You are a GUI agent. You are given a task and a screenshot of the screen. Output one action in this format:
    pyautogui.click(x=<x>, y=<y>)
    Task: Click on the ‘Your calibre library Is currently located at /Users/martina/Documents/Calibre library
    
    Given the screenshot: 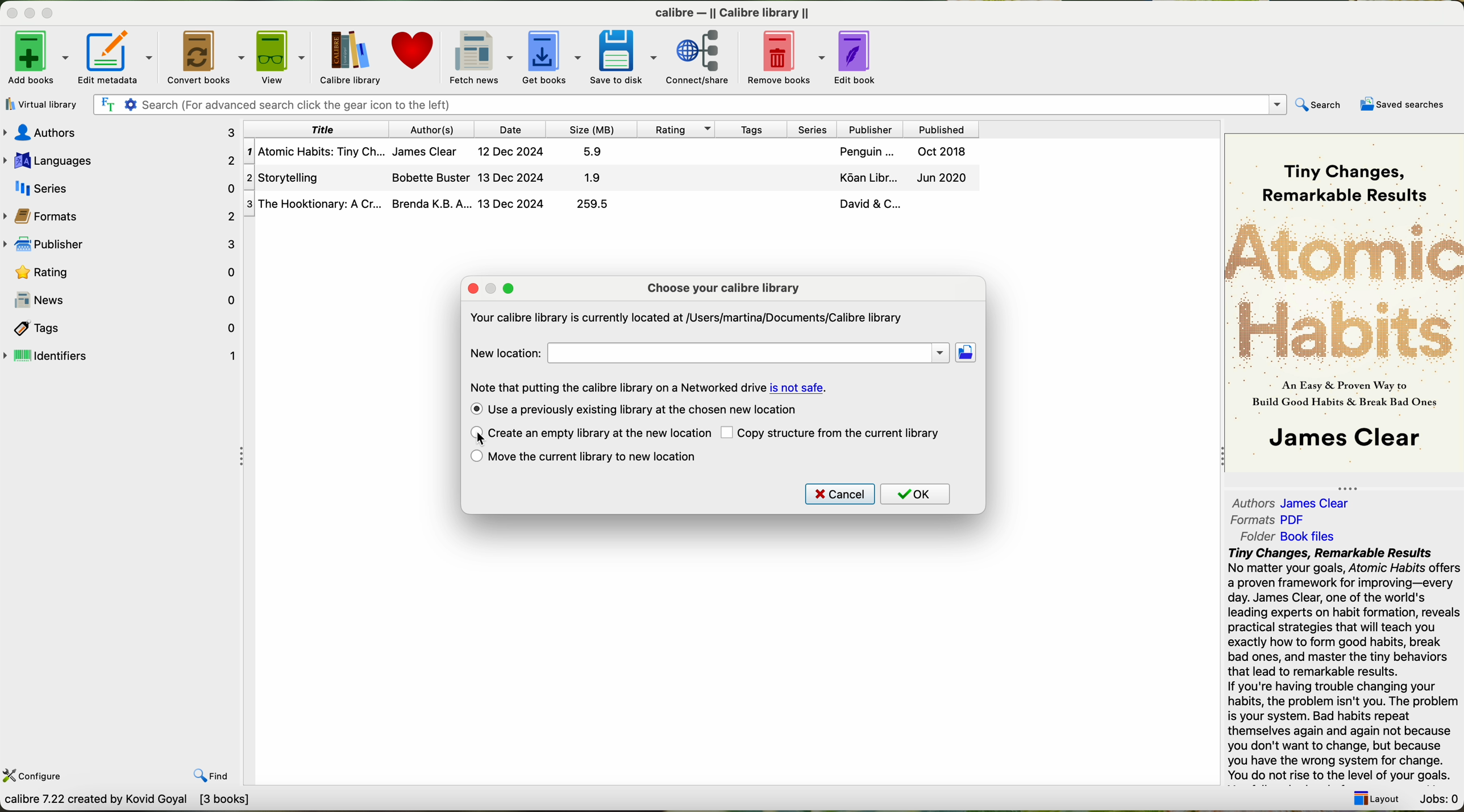 What is the action you would take?
    pyautogui.click(x=684, y=320)
    